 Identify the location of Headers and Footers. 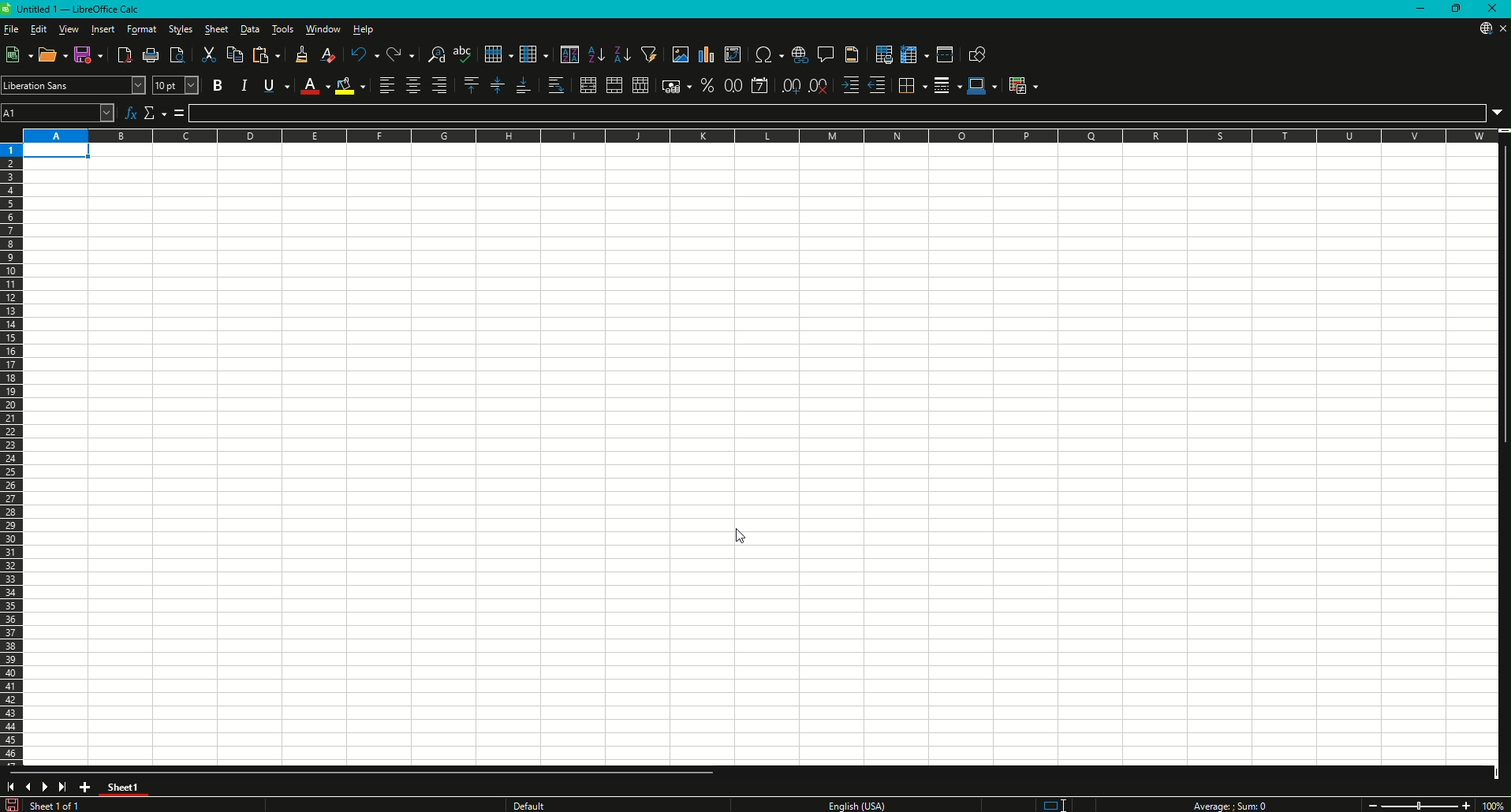
(853, 54).